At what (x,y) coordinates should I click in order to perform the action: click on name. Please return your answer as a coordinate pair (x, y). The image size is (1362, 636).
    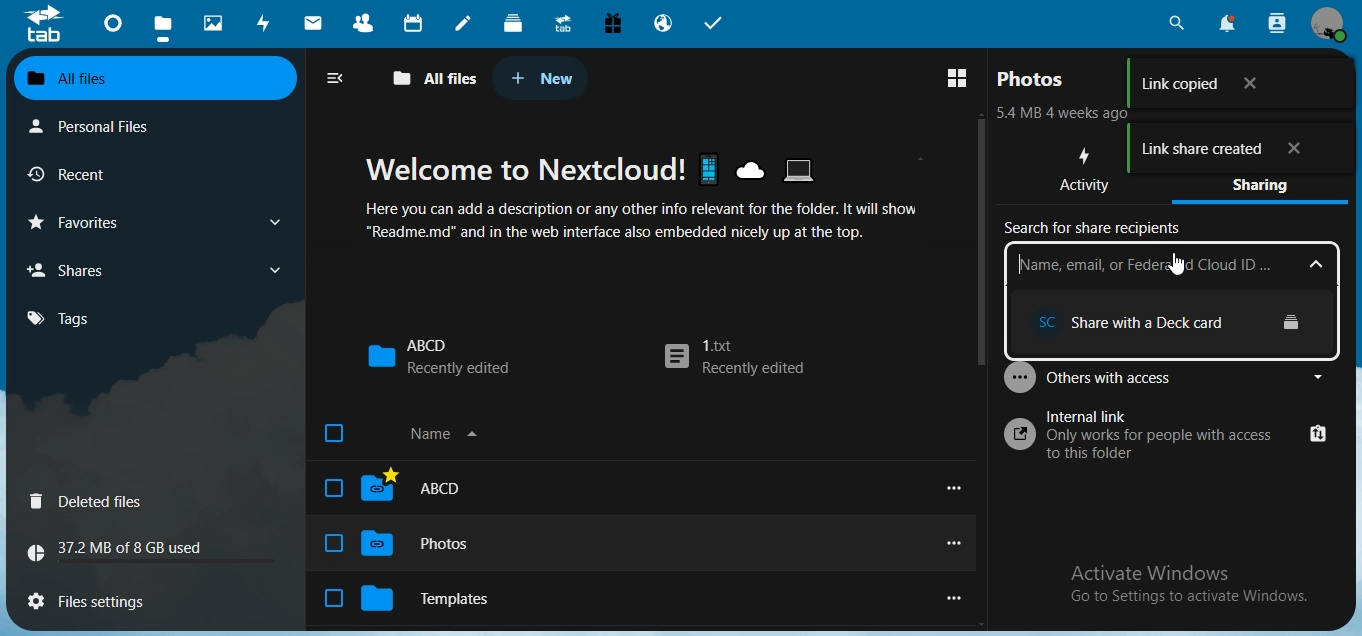
    Looking at the image, I should click on (446, 432).